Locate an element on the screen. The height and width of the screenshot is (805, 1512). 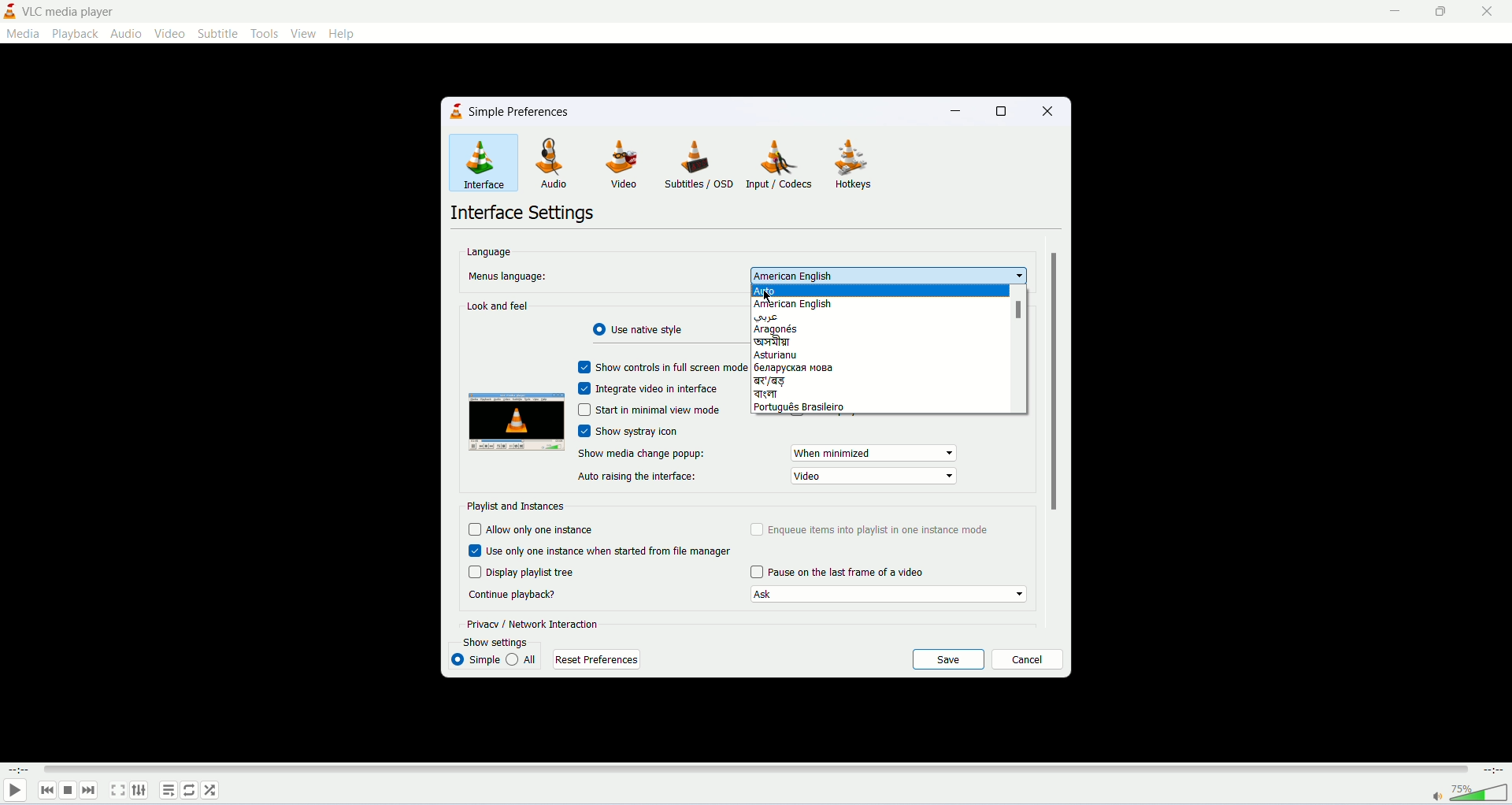
video is located at coordinates (169, 33).